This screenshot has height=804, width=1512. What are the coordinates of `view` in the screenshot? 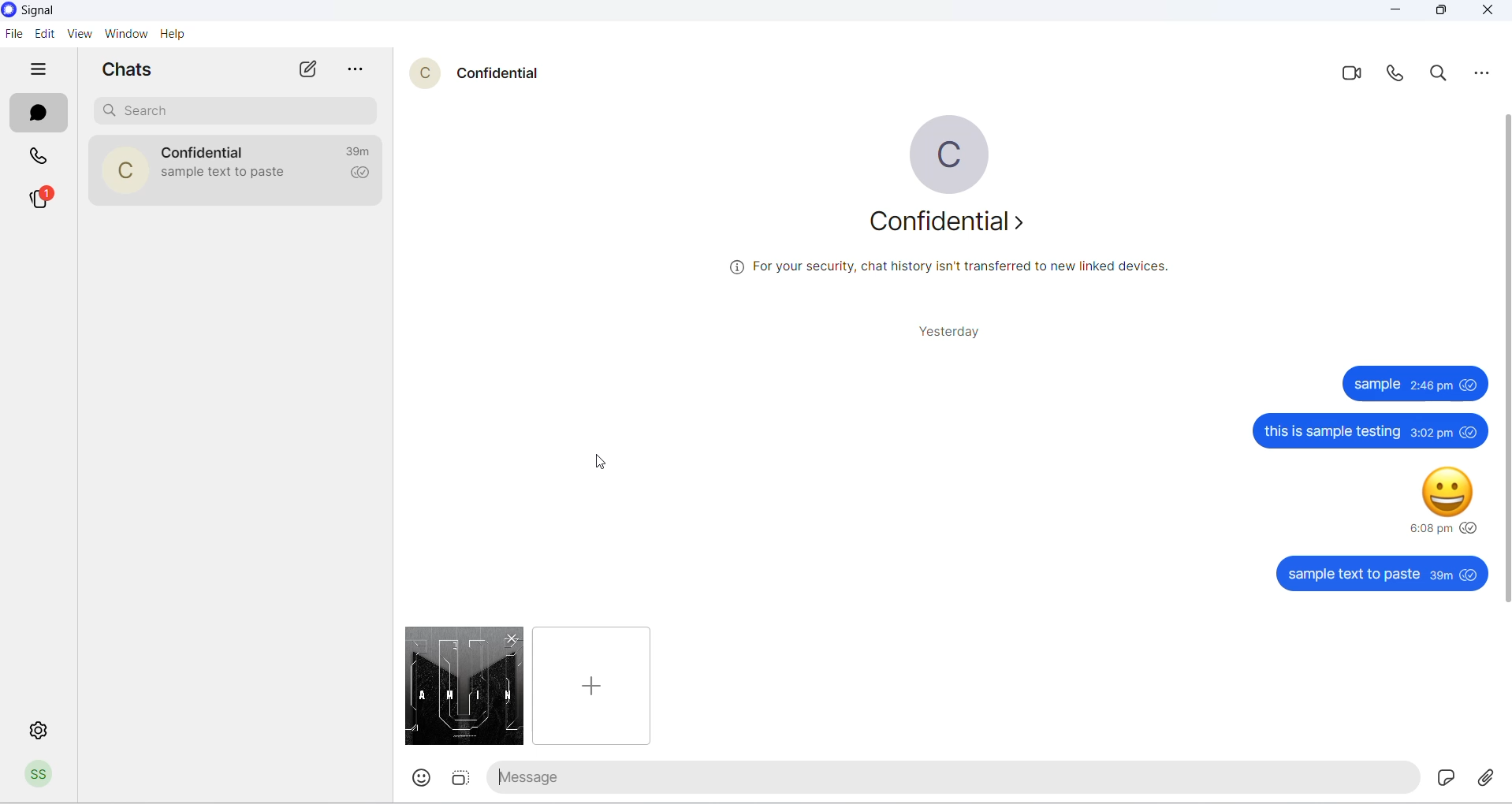 It's located at (77, 35).